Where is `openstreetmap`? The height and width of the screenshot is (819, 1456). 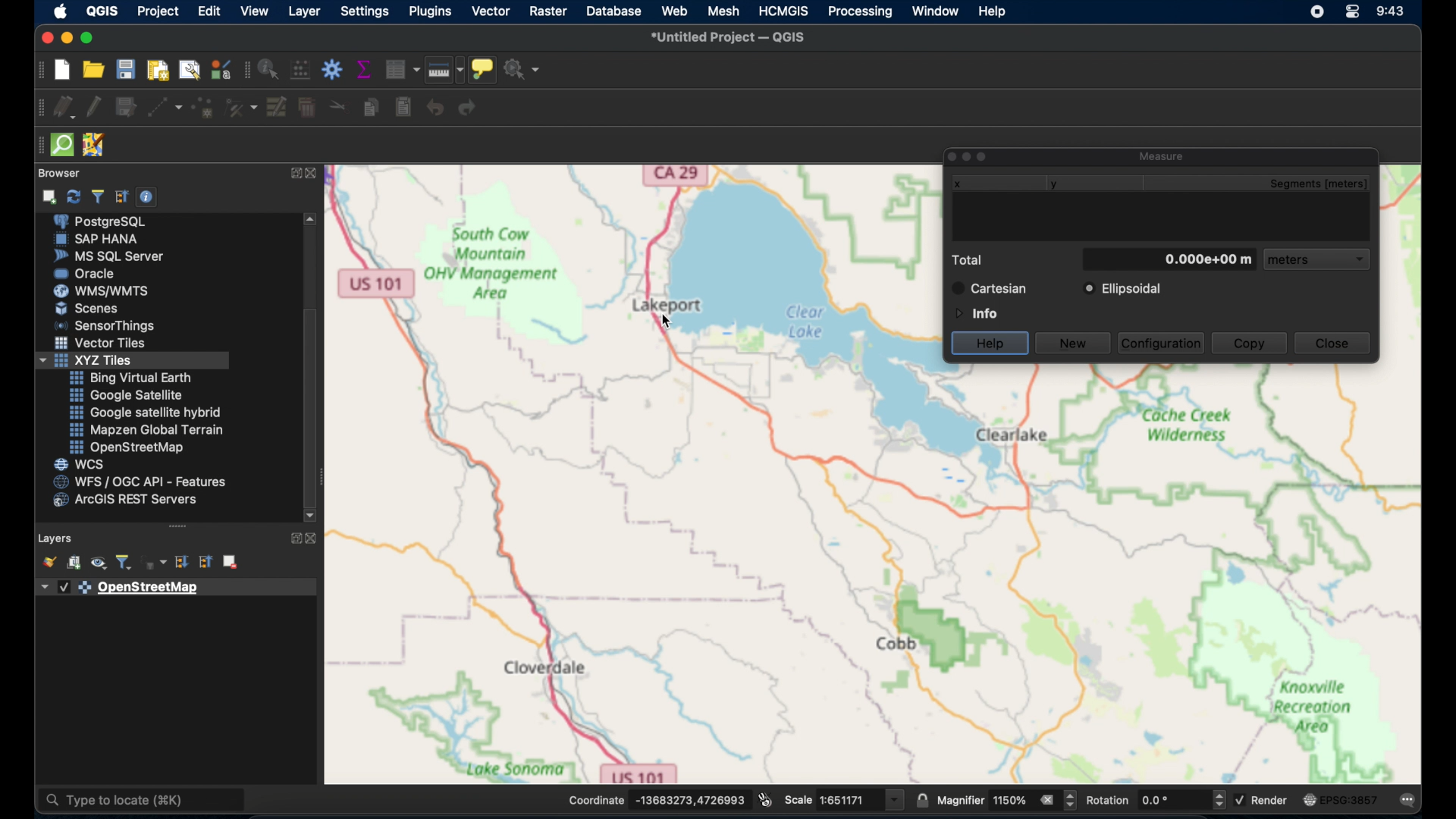
openstreetmap is located at coordinates (127, 448).